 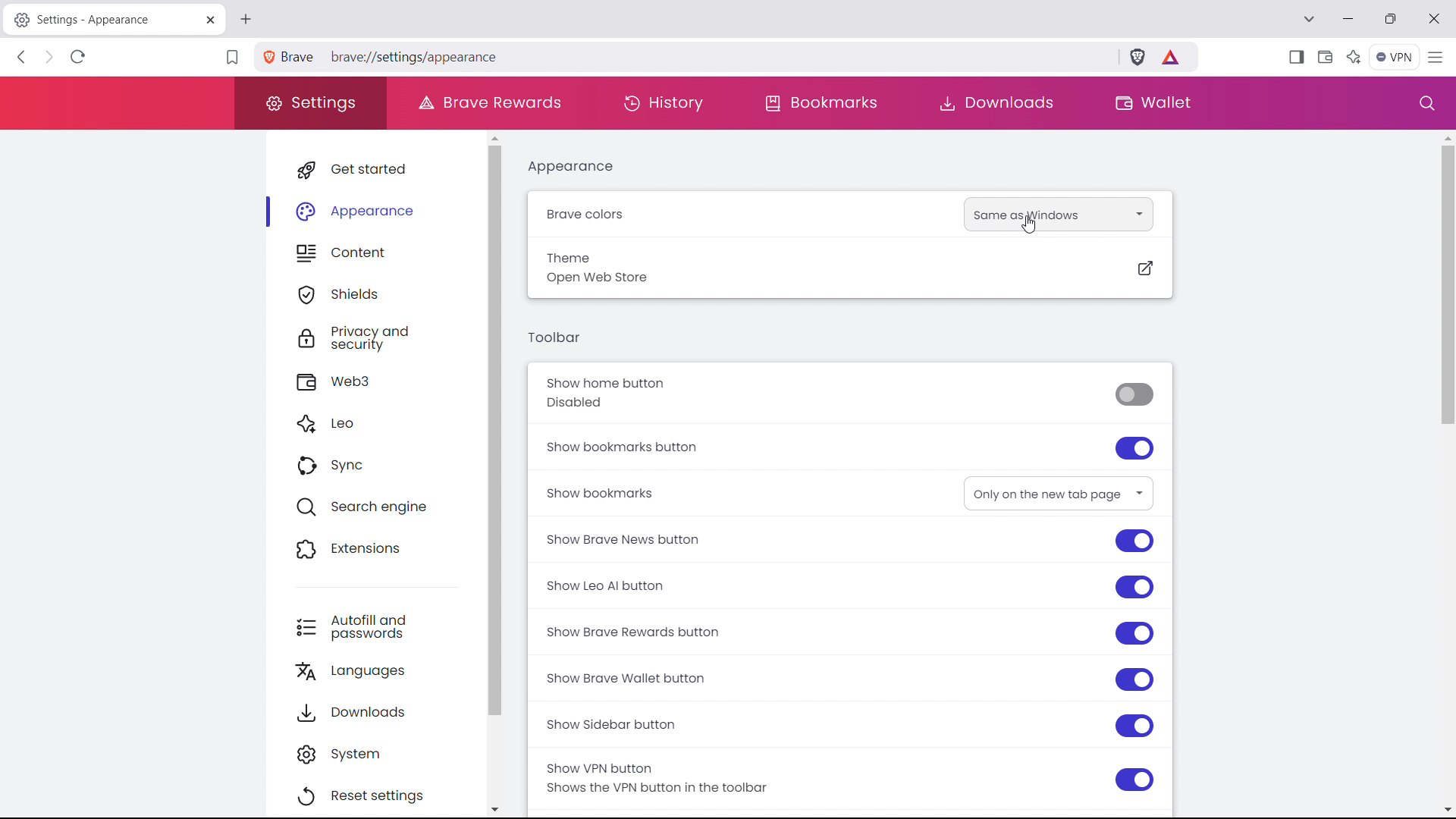 I want to click on select where to sjow bookmarks, so click(x=1058, y=493).